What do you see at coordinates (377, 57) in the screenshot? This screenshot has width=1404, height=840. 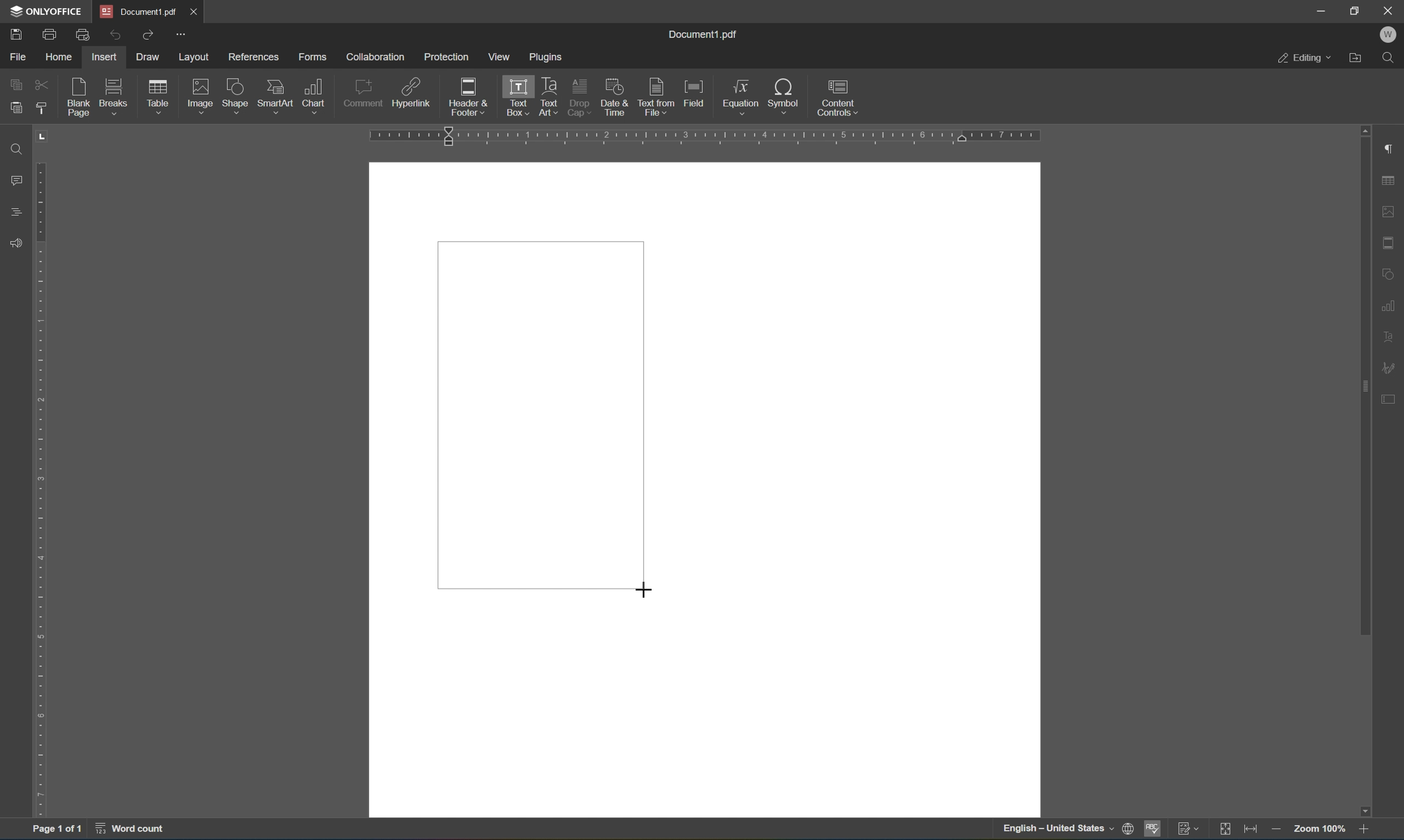 I see `collaboration` at bounding box center [377, 57].